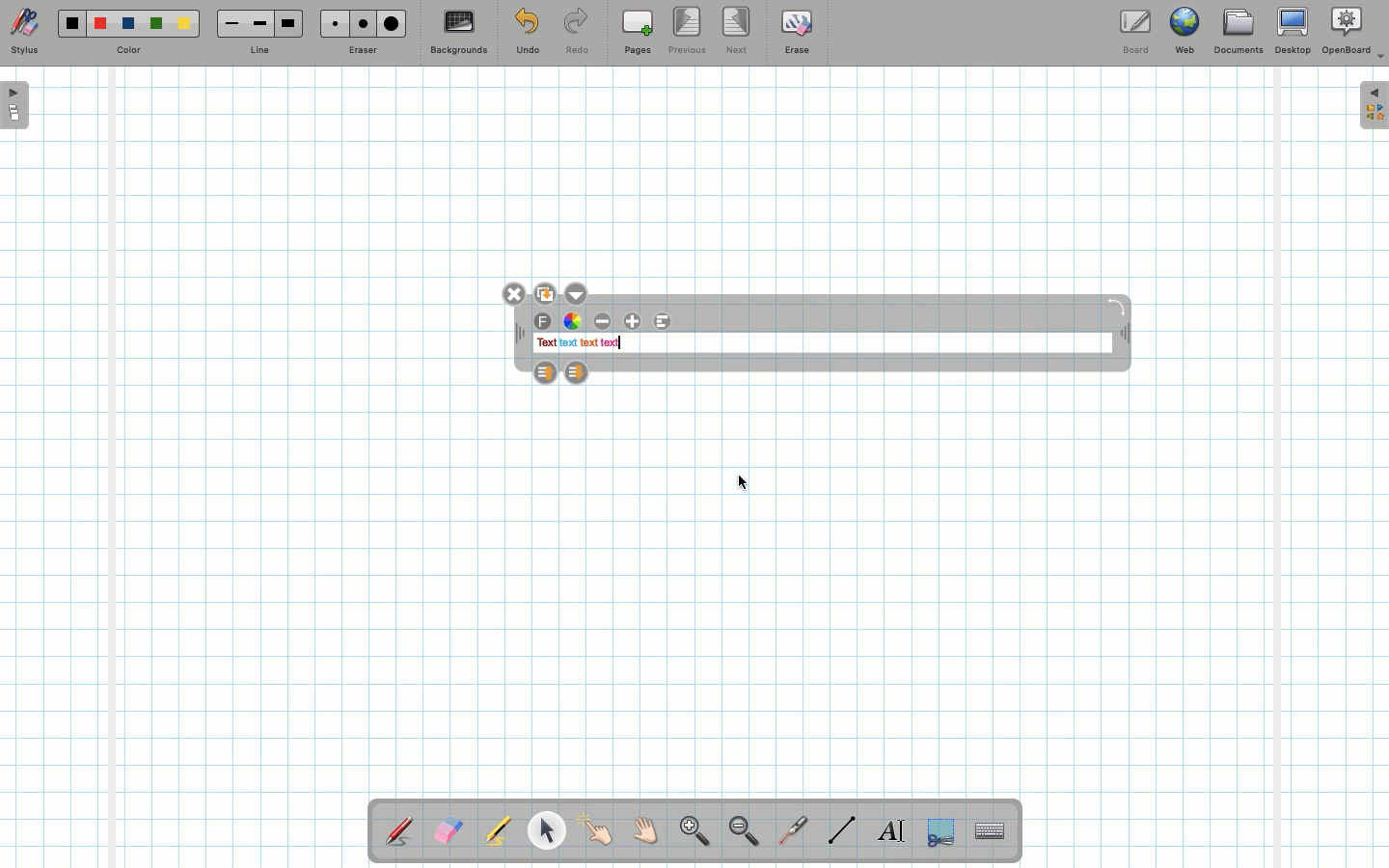  What do you see at coordinates (578, 372) in the screenshot?
I see `Layer down` at bounding box center [578, 372].